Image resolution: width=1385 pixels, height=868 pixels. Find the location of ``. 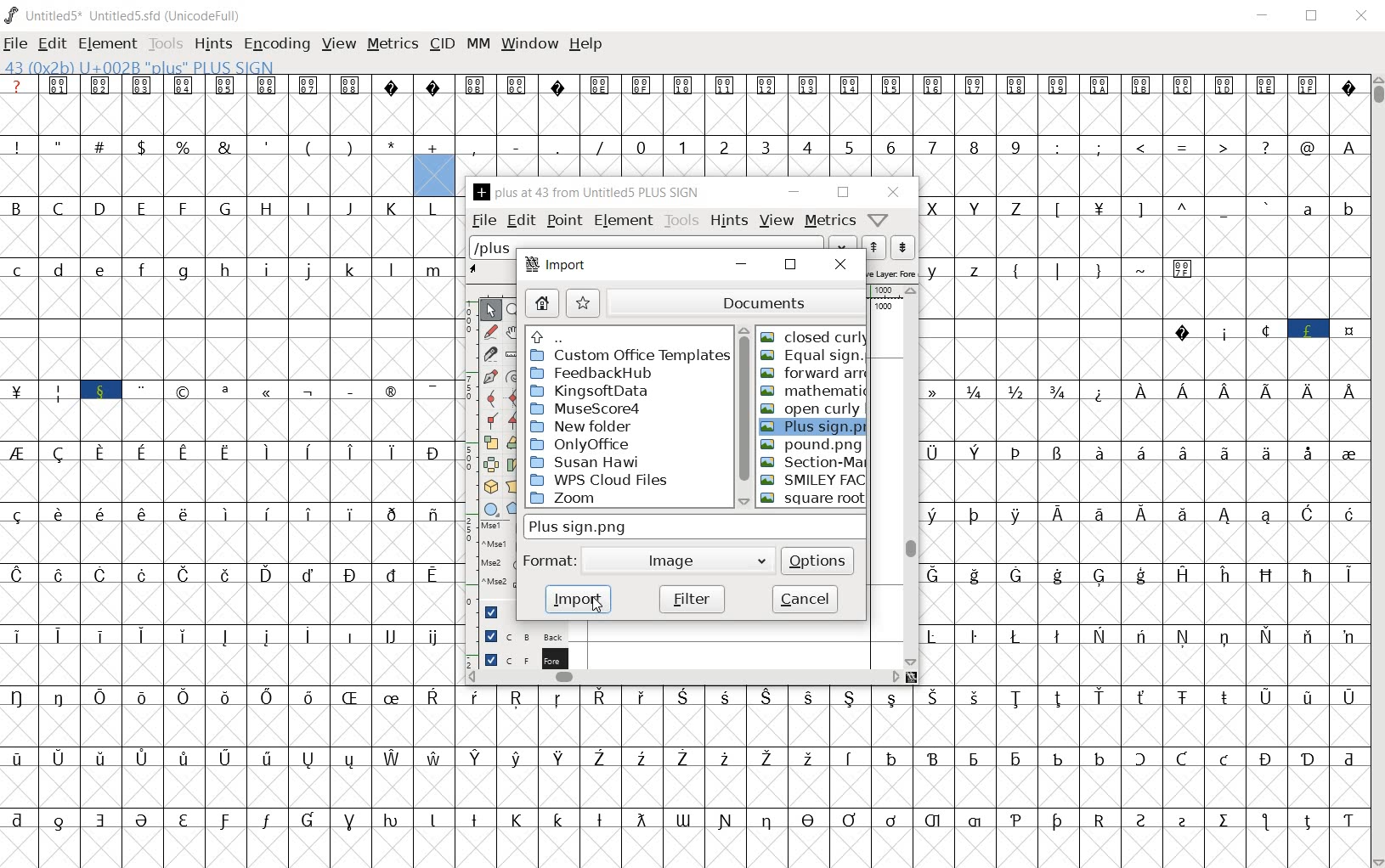

 is located at coordinates (939, 533).